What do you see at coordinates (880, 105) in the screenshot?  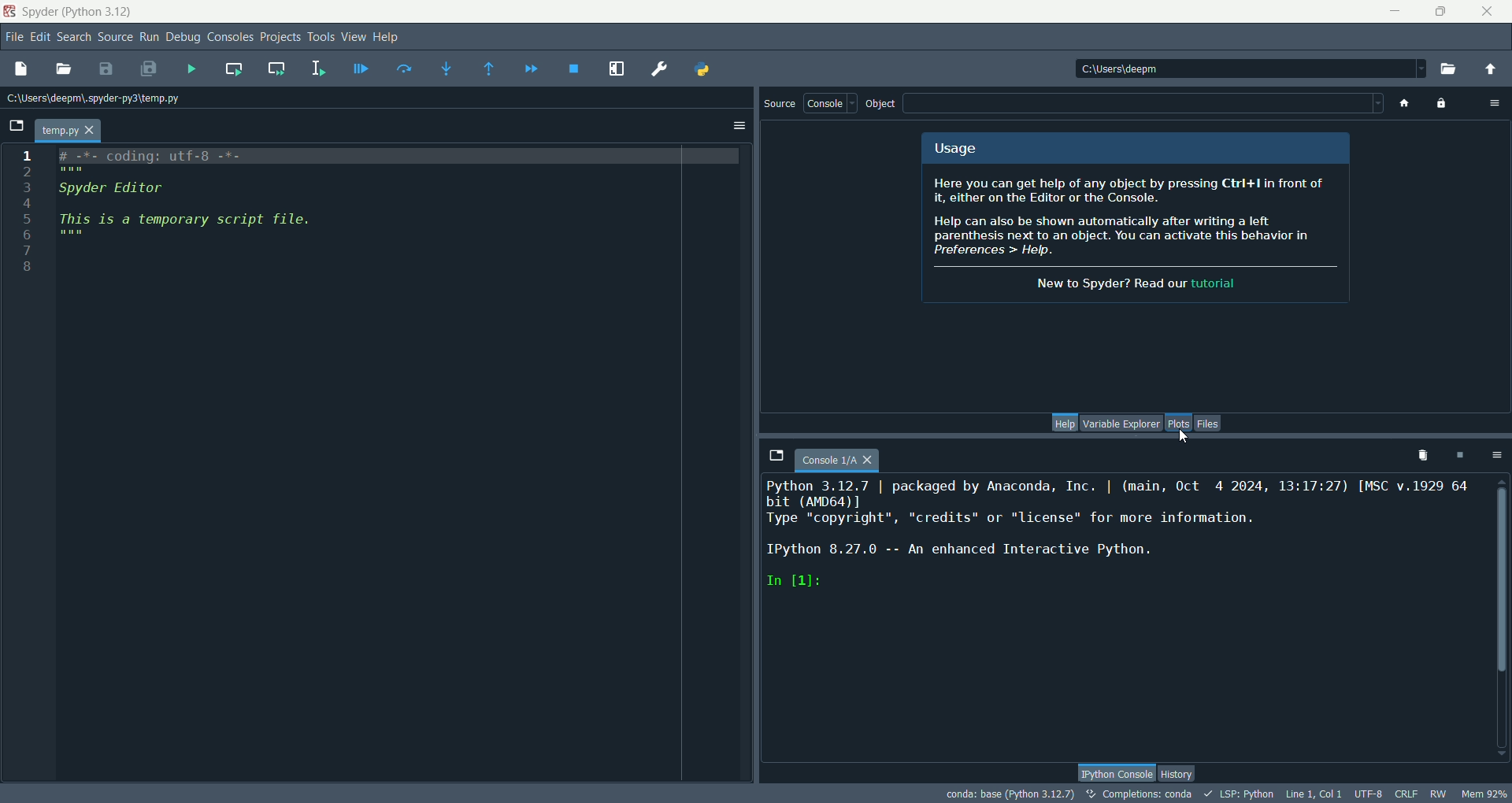 I see `objects` at bounding box center [880, 105].